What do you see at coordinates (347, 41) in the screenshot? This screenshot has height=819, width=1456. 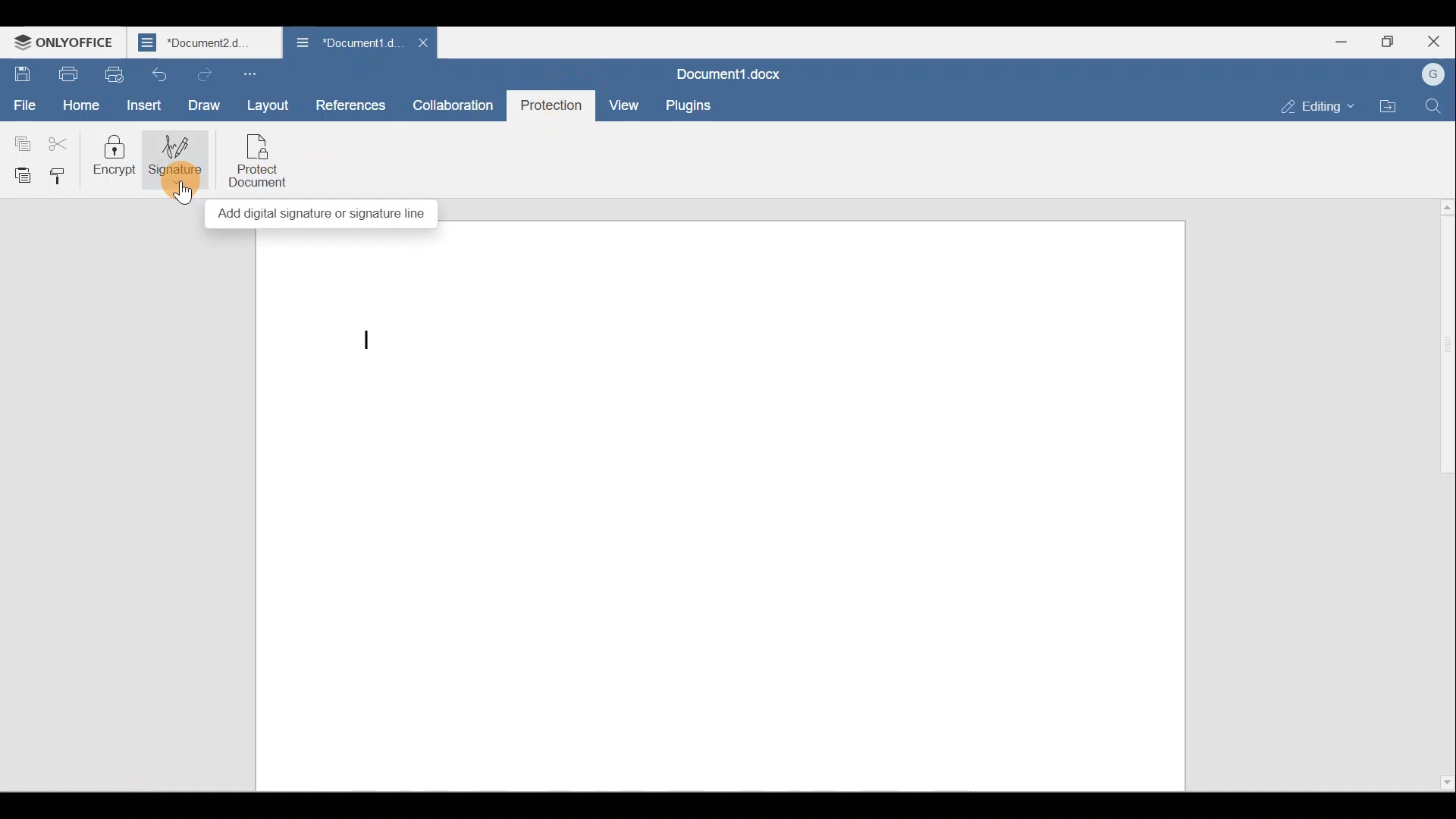 I see `Document name` at bounding box center [347, 41].